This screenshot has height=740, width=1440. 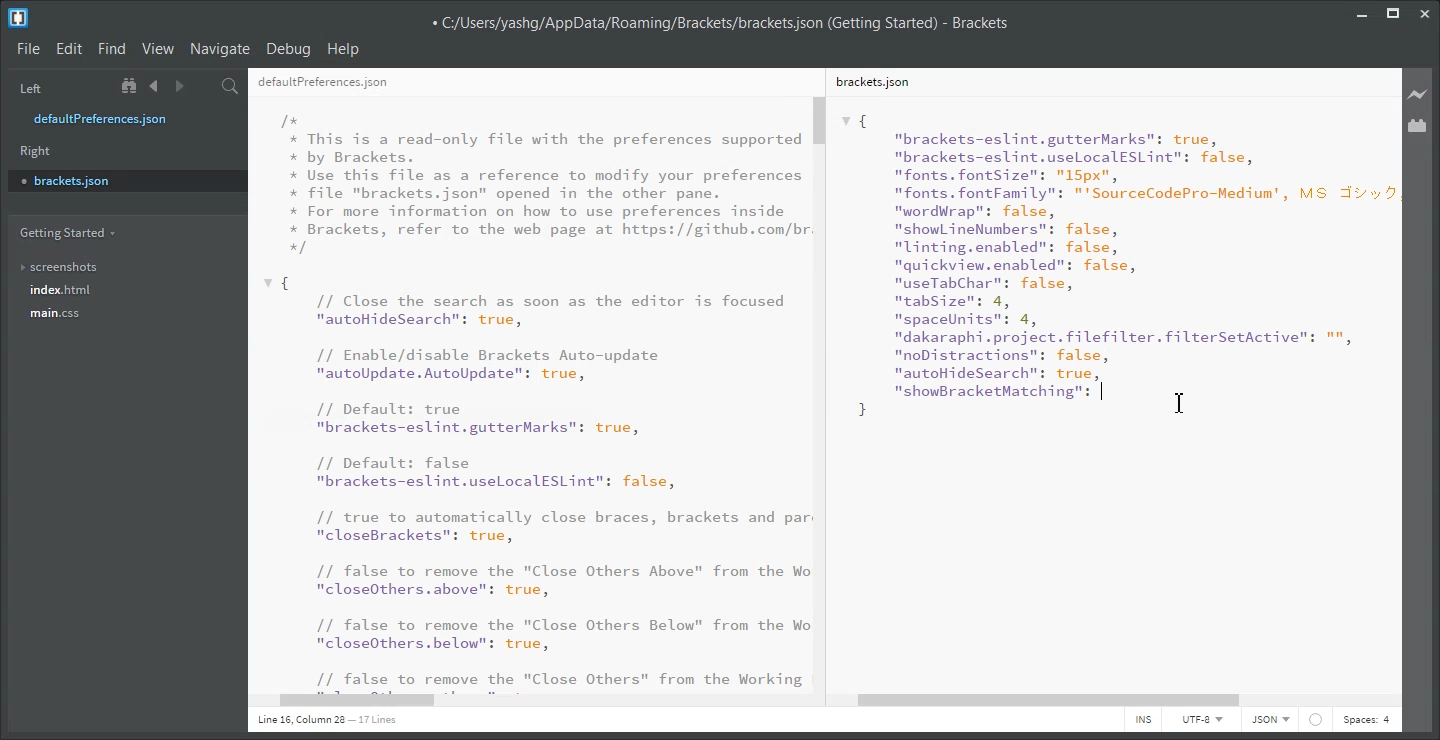 What do you see at coordinates (823, 392) in the screenshot?
I see `Vertical Scroll bar` at bounding box center [823, 392].